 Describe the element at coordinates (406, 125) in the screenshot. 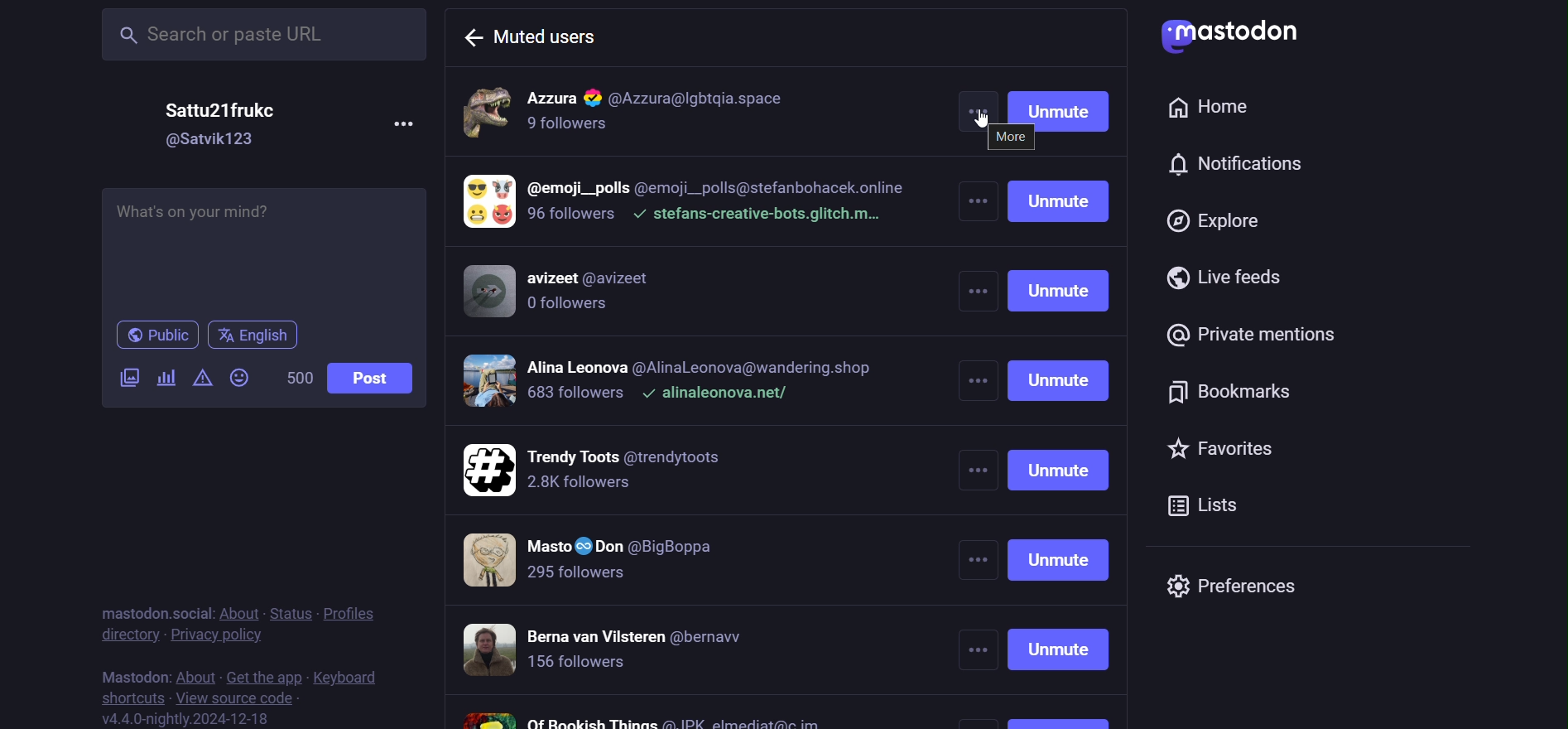

I see `more` at that location.